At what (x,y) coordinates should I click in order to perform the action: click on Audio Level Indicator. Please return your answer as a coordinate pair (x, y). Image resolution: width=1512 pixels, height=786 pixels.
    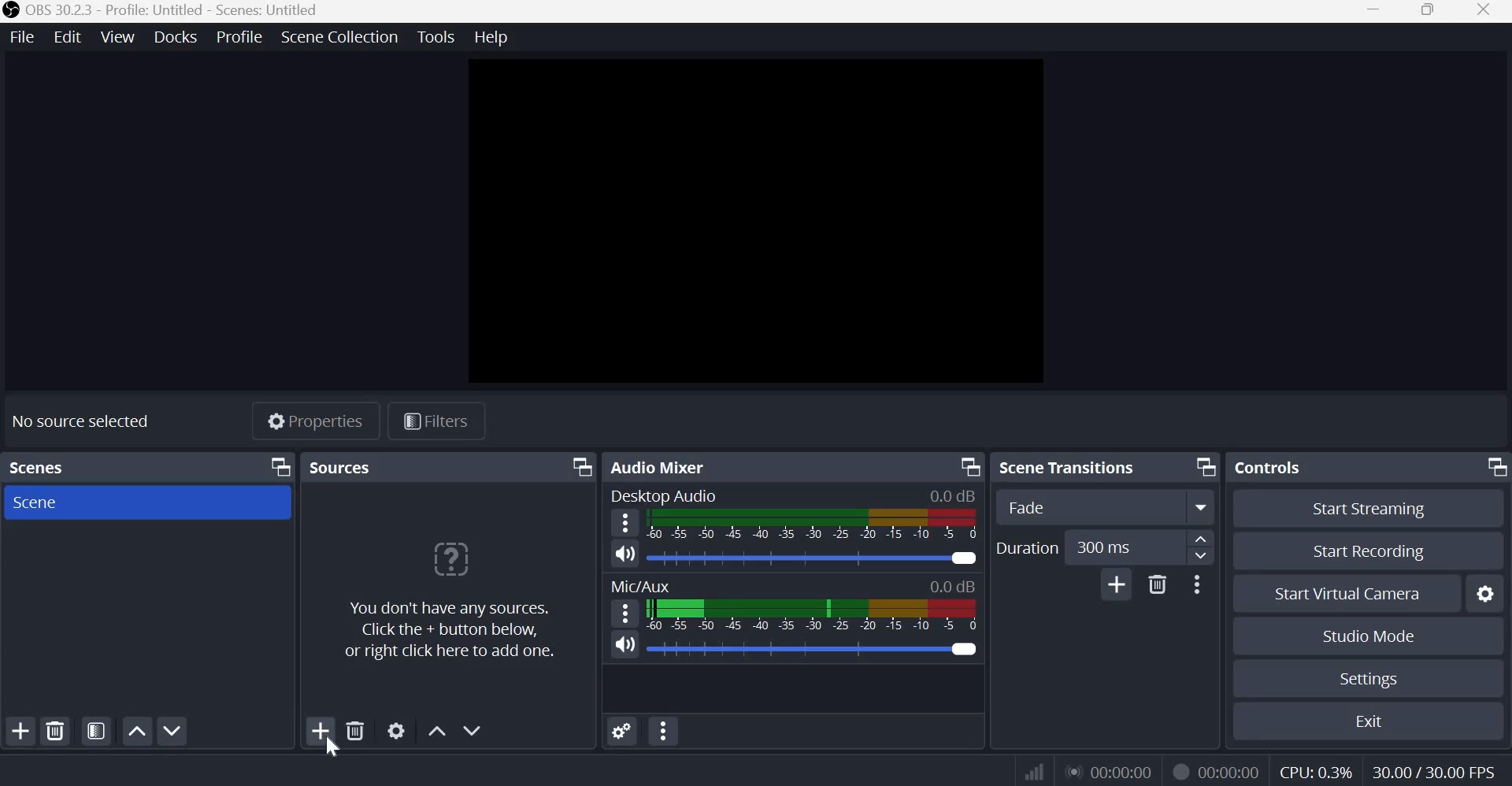
    Looking at the image, I should click on (953, 586).